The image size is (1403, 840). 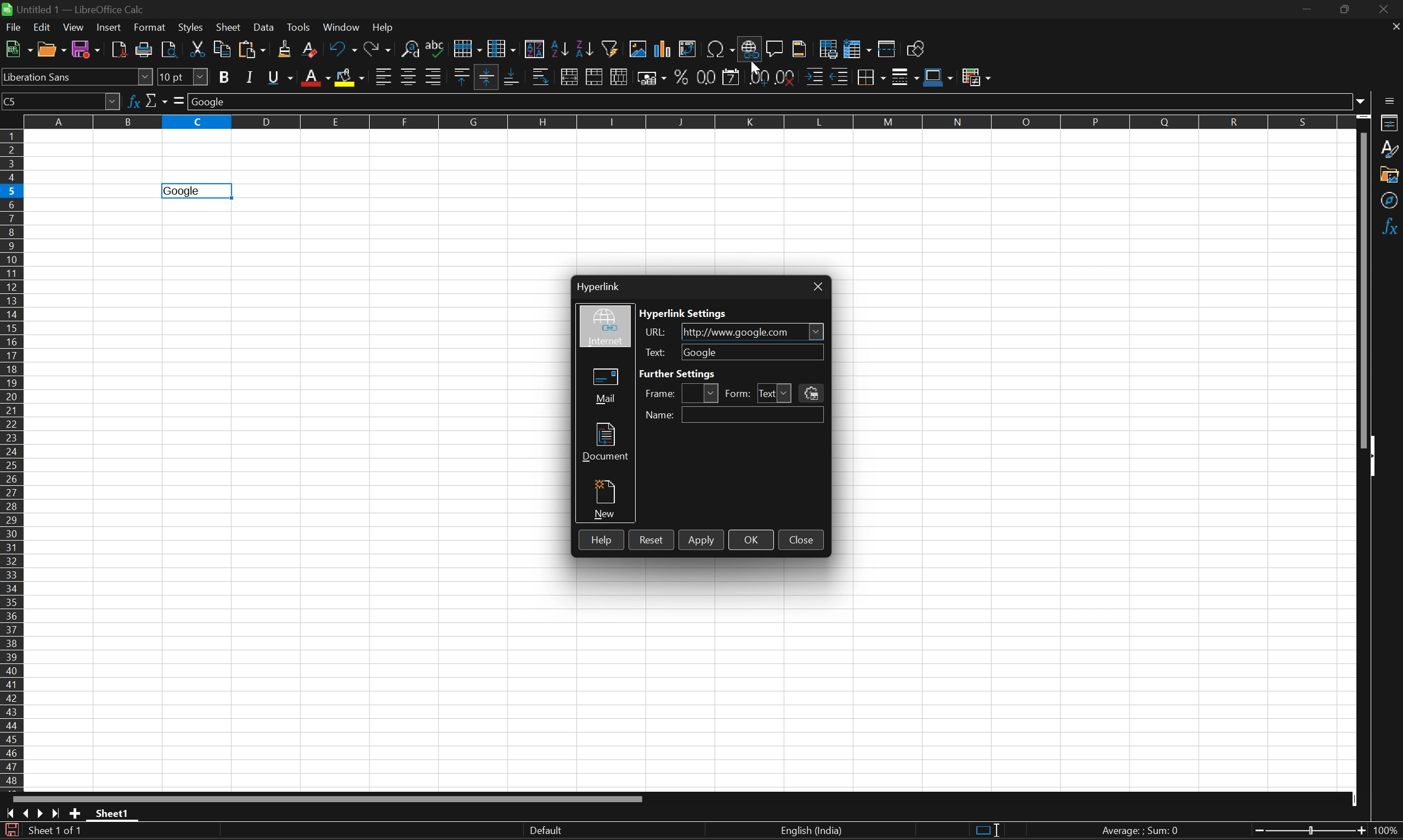 I want to click on Styles, so click(x=191, y=29).